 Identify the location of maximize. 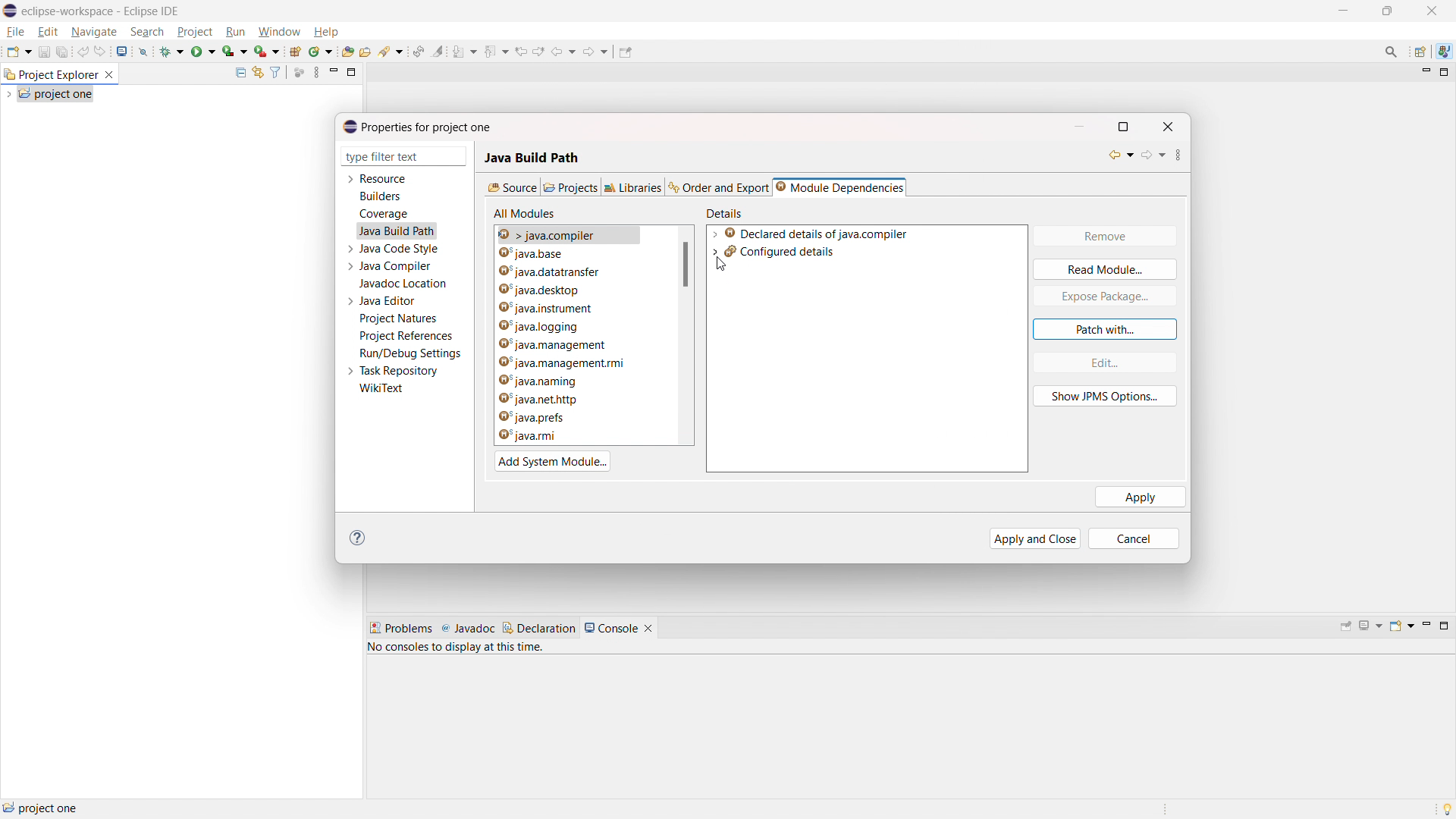
(1130, 126).